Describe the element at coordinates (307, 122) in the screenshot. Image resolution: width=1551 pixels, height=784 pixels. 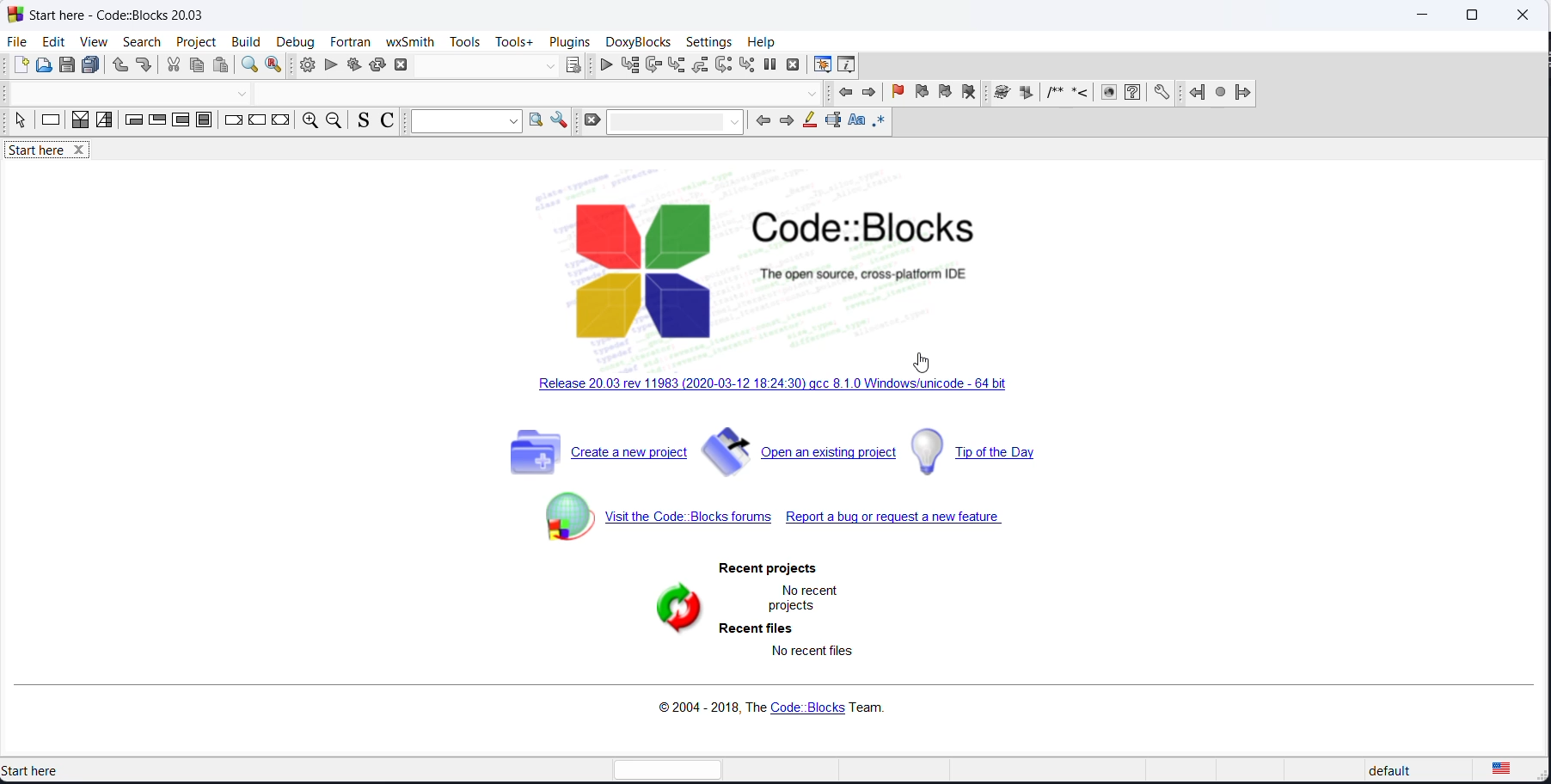
I see `zoom in` at that location.